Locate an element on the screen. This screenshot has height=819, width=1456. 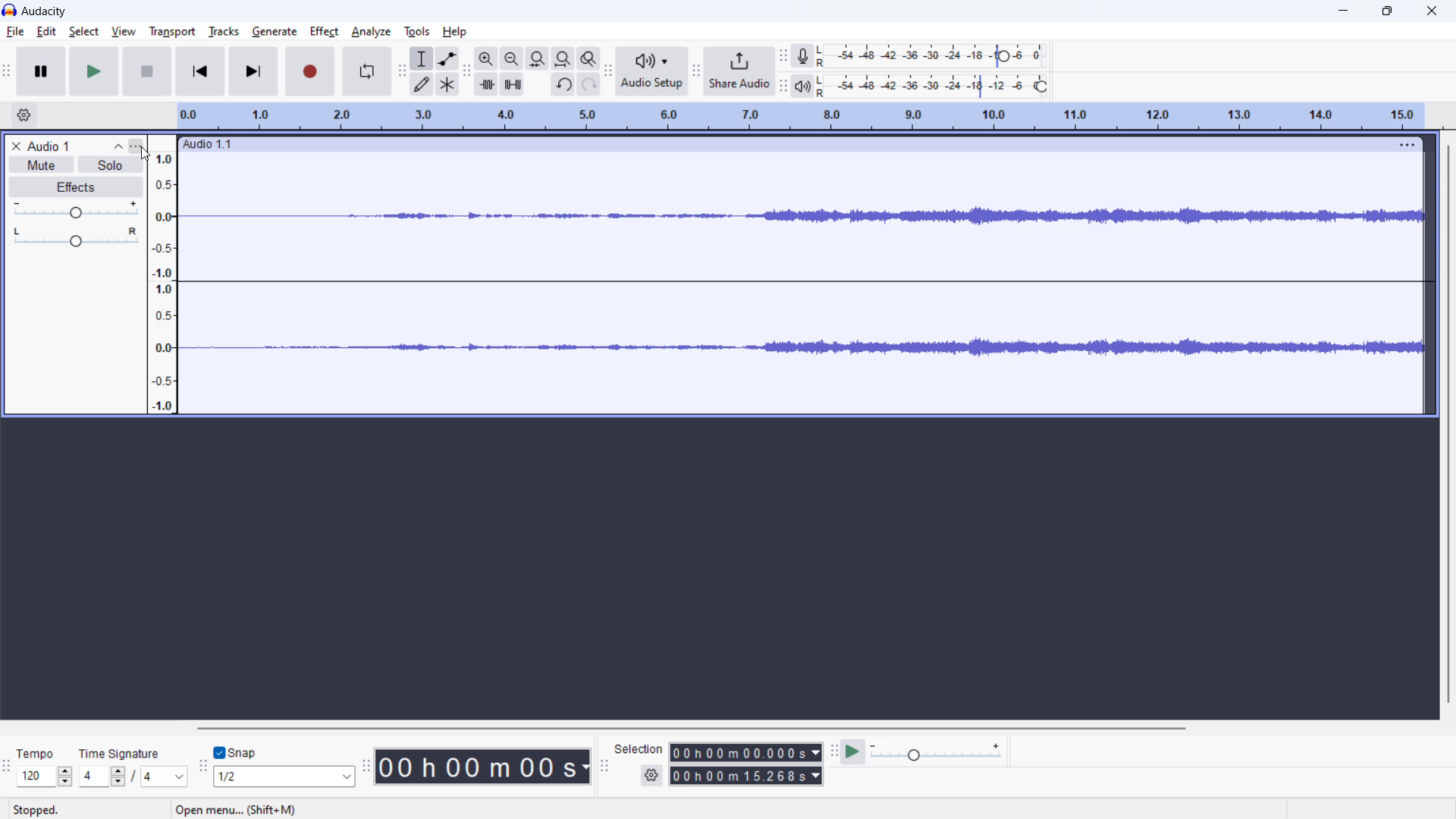
hold to move is located at coordinates (782, 144).